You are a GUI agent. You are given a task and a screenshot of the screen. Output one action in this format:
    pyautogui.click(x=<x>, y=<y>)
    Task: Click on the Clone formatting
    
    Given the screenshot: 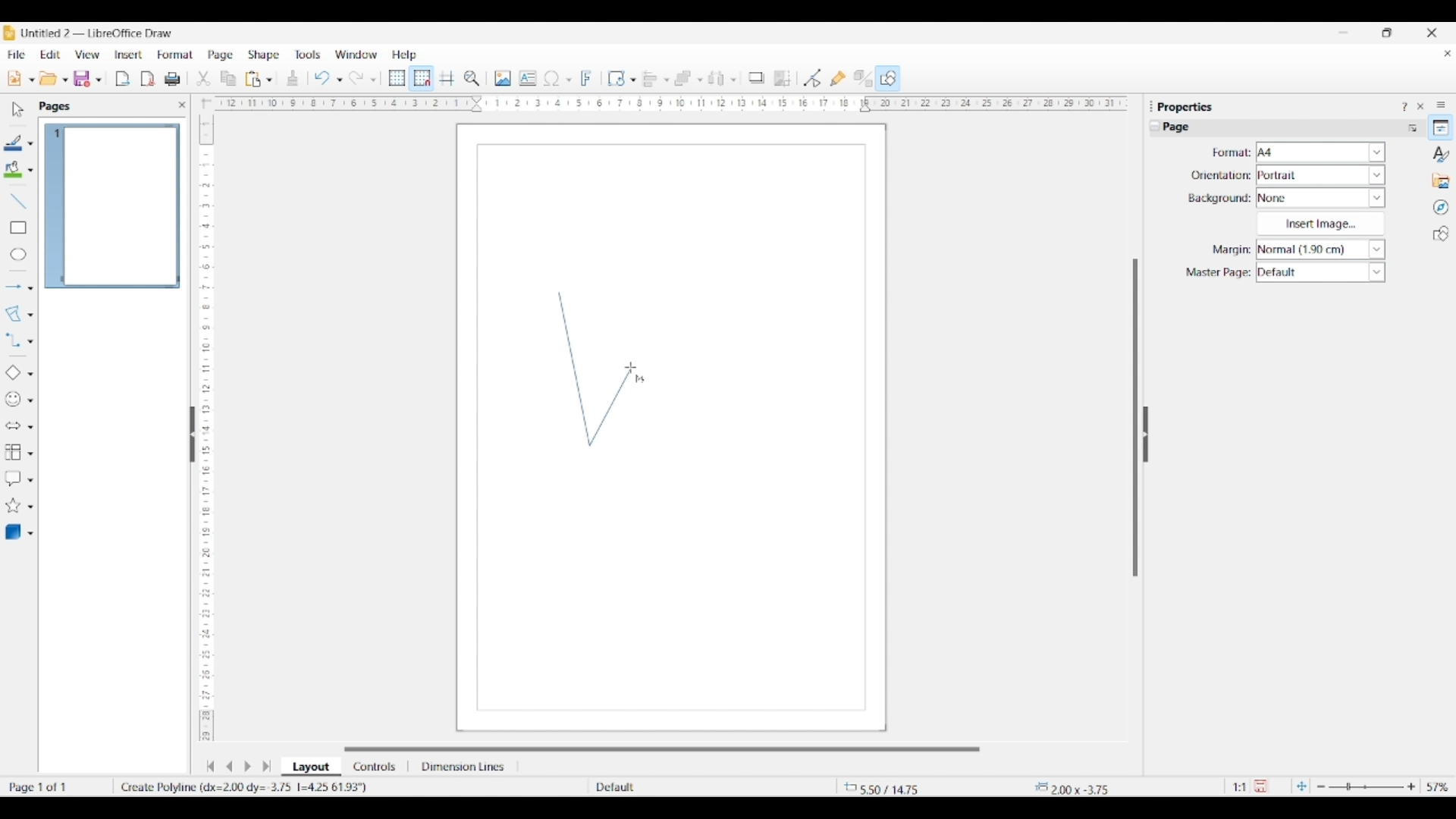 What is the action you would take?
    pyautogui.click(x=293, y=78)
    